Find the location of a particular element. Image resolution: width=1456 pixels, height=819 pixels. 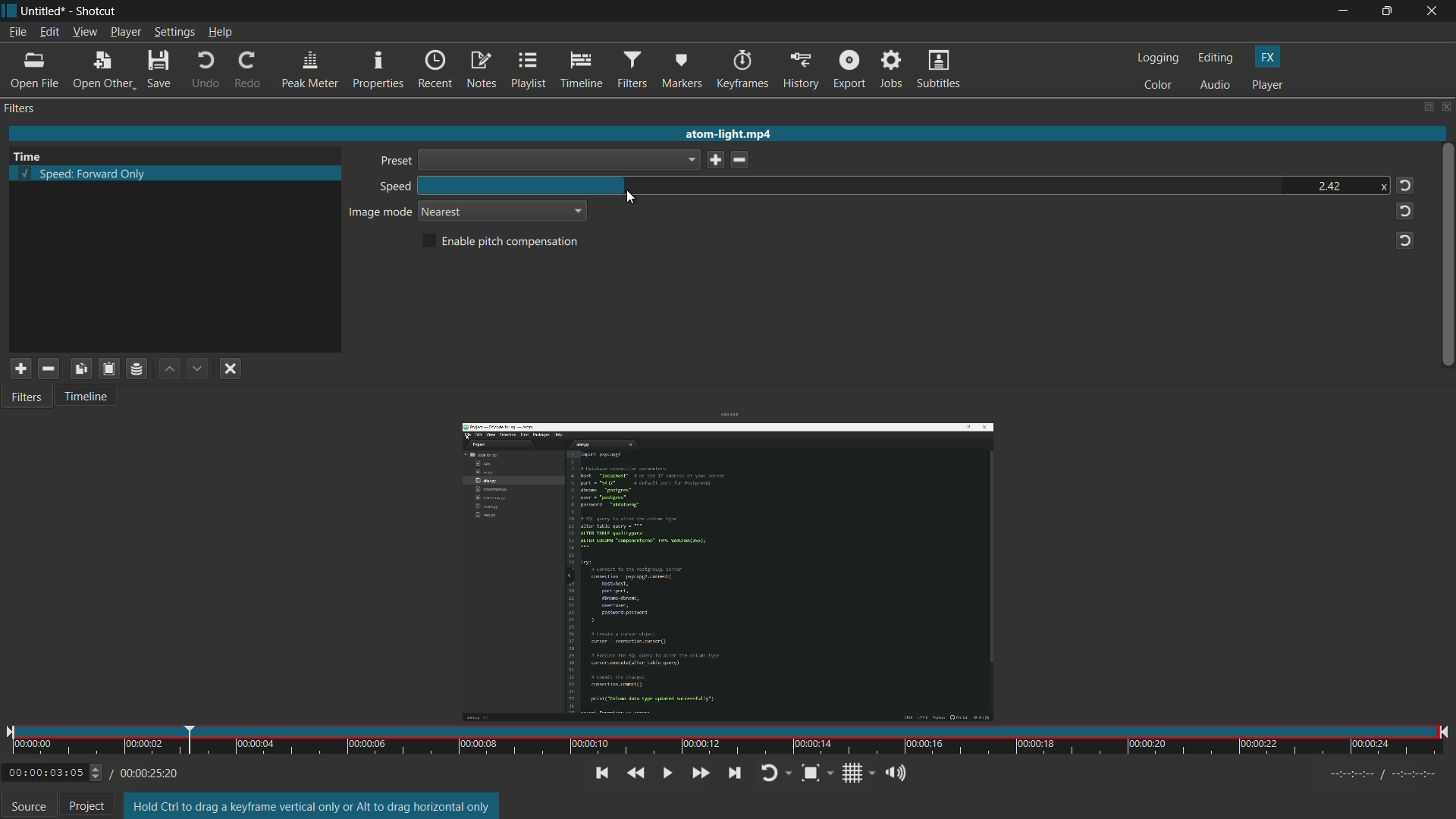

play quickly forward is located at coordinates (702, 772).